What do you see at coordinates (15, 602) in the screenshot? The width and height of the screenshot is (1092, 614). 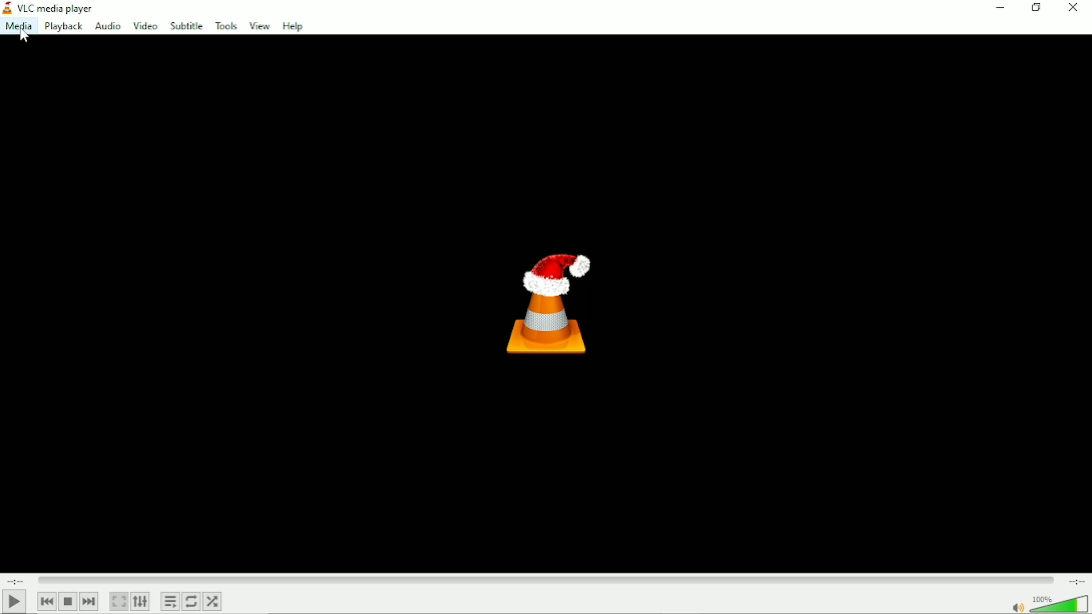 I see `Play` at bounding box center [15, 602].